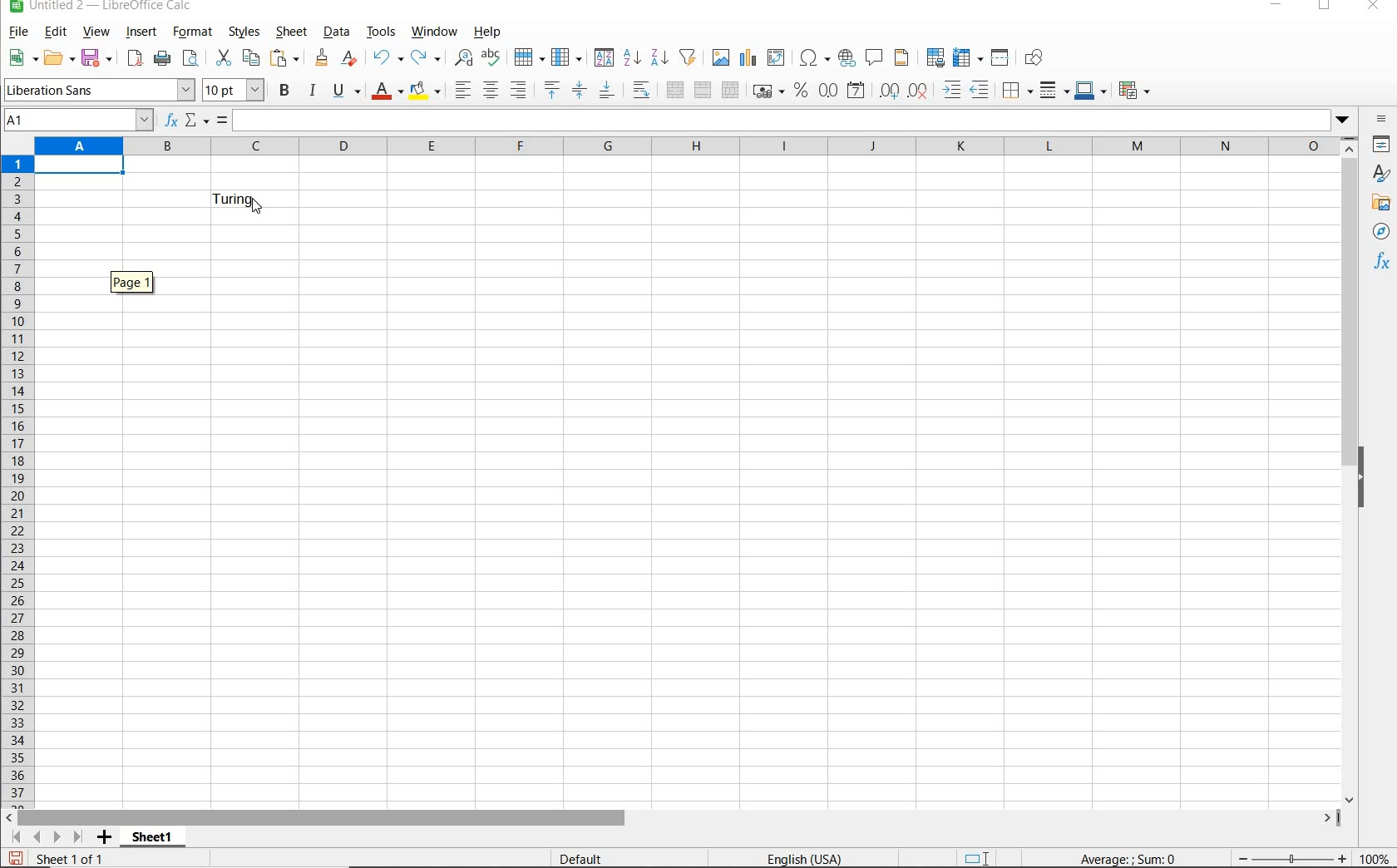 The image size is (1397, 868). What do you see at coordinates (427, 60) in the screenshot?
I see `REDO` at bounding box center [427, 60].